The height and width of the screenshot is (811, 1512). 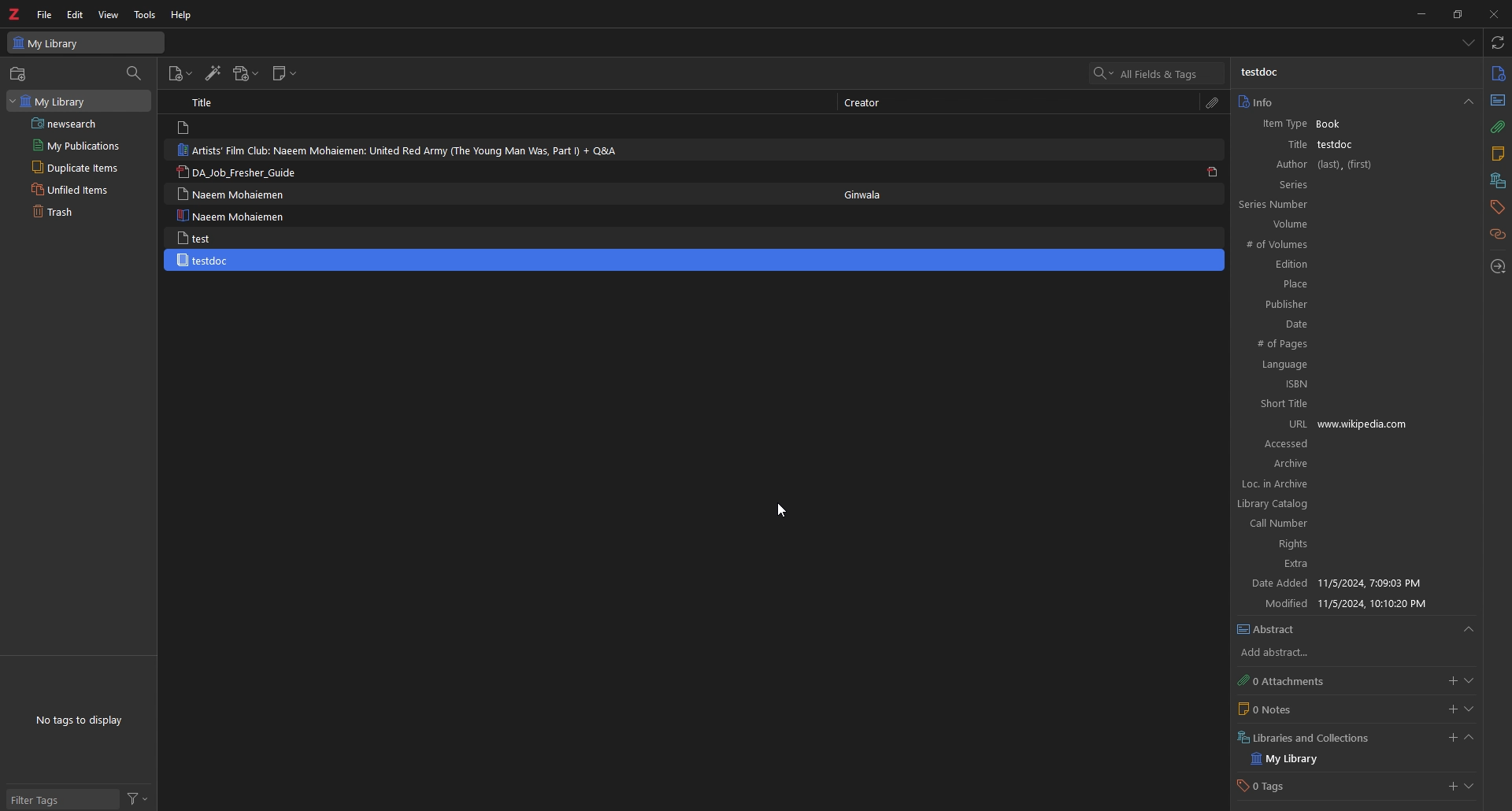 What do you see at coordinates (1349, 484) in the screenshot?
I see `Loc. in archive` at bounding box center [1349, 484].